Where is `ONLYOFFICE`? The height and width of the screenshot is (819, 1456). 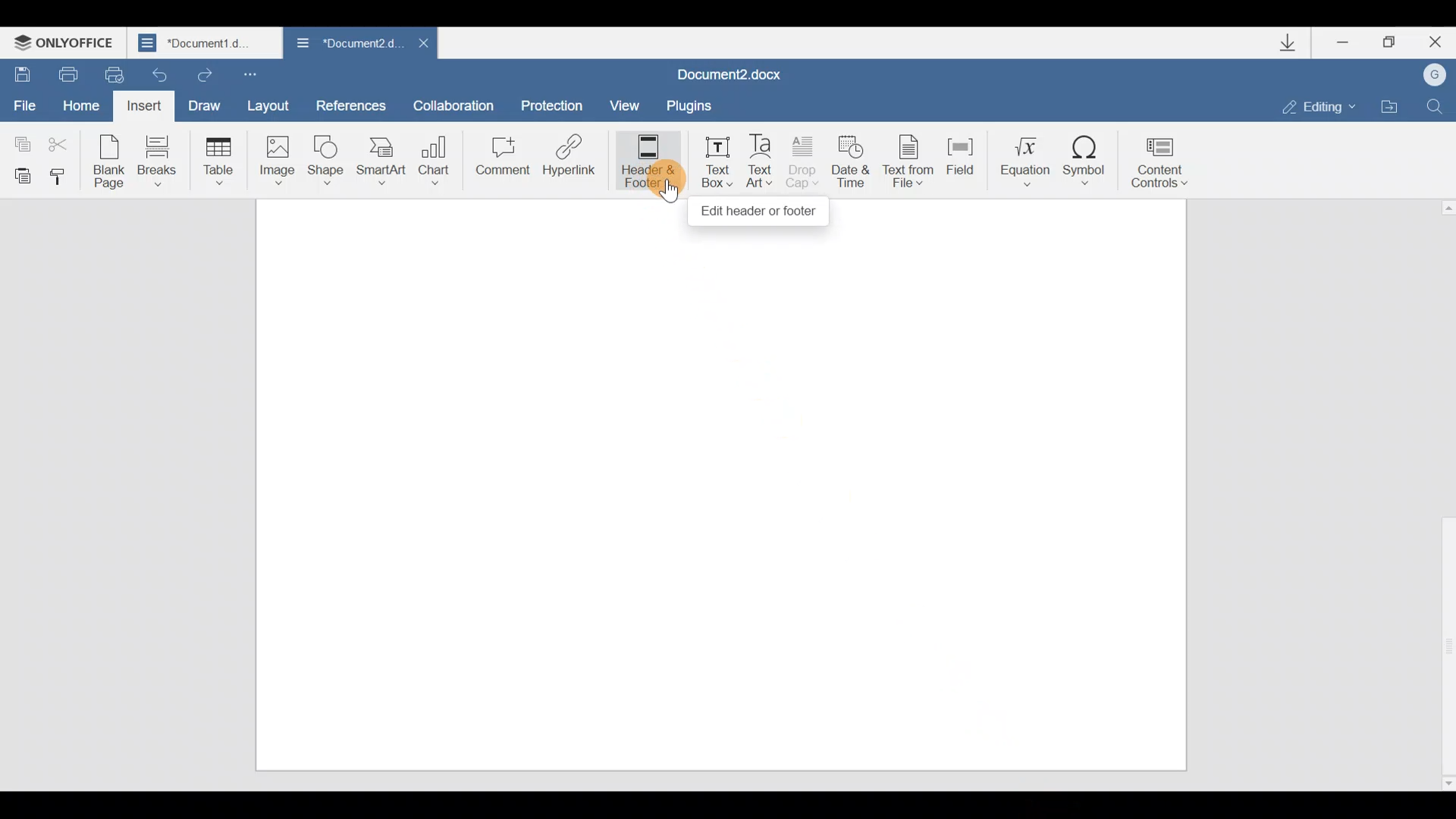
ONLYOFFICE is located at coordinates (68, 39).